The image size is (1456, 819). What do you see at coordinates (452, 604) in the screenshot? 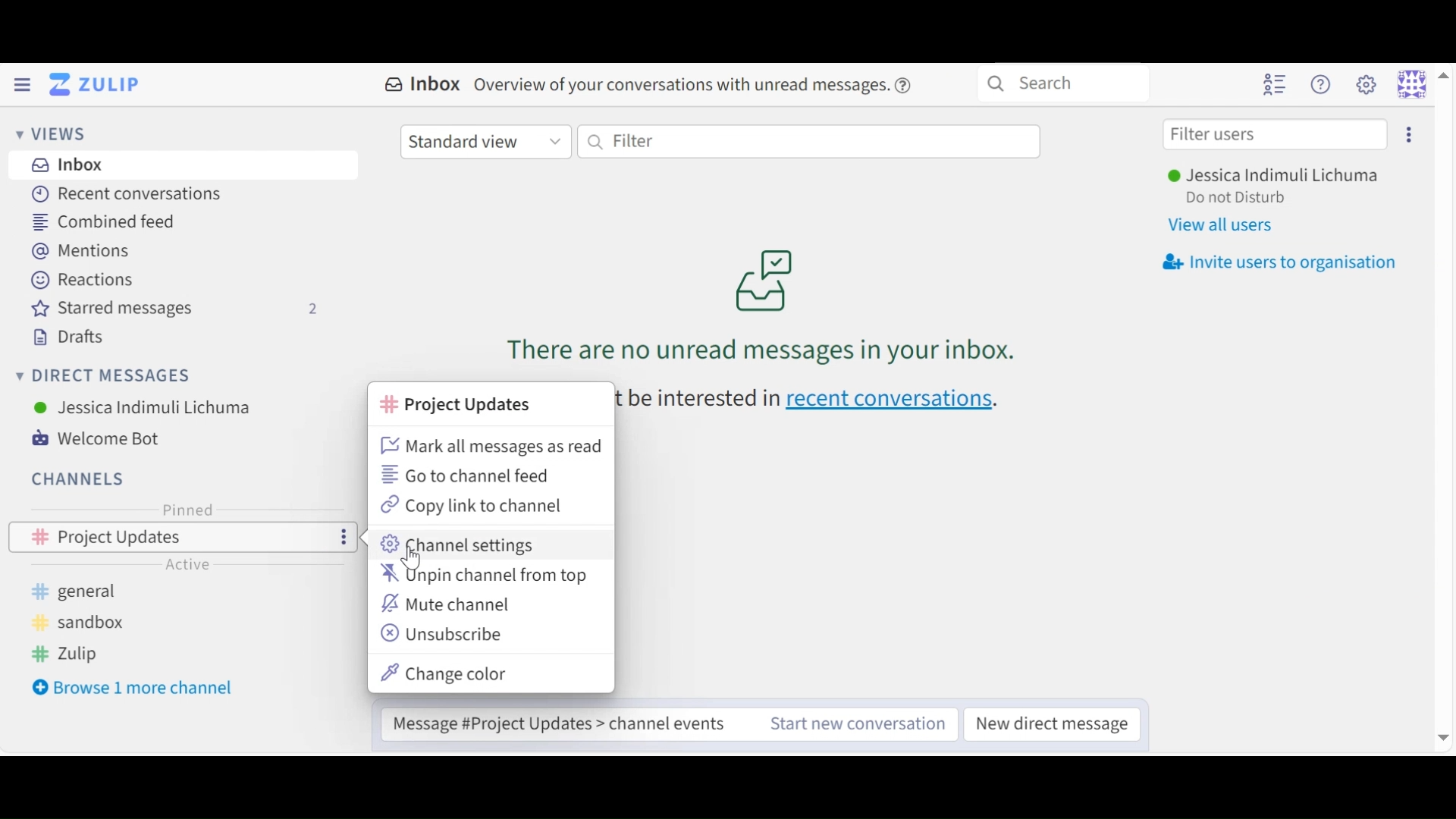
I see `Mute Channel` at bounding box center [452, 604].